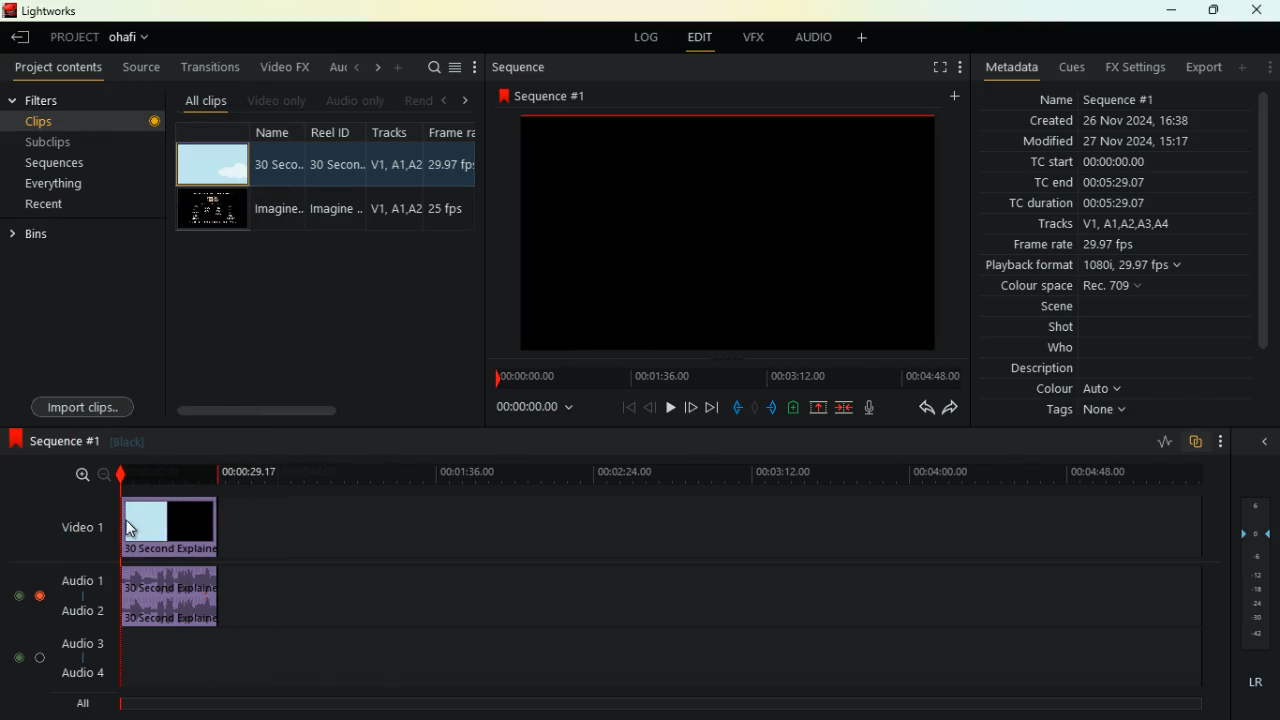 The width and height of the screenshot is (1280, 720). I want to click on forward, so click(691, 409).